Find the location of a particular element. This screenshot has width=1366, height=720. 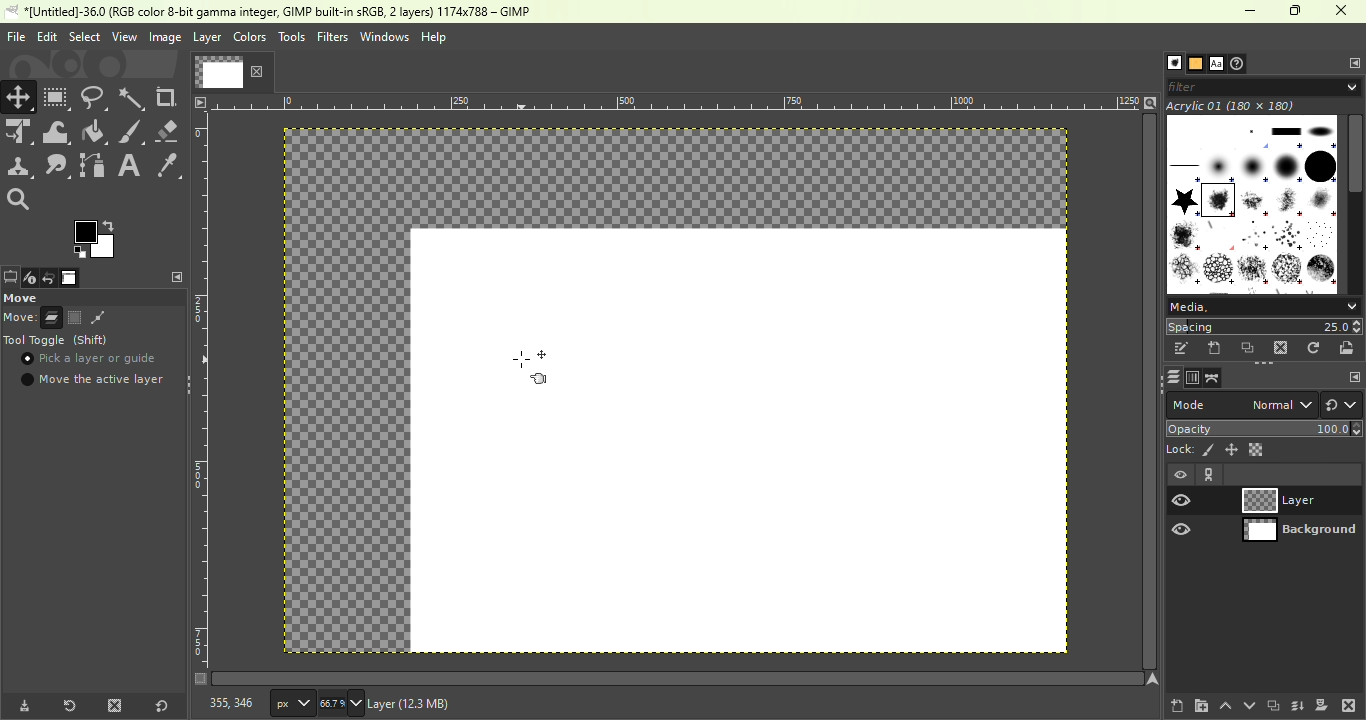

Free select is located at coordinates (92, 297).